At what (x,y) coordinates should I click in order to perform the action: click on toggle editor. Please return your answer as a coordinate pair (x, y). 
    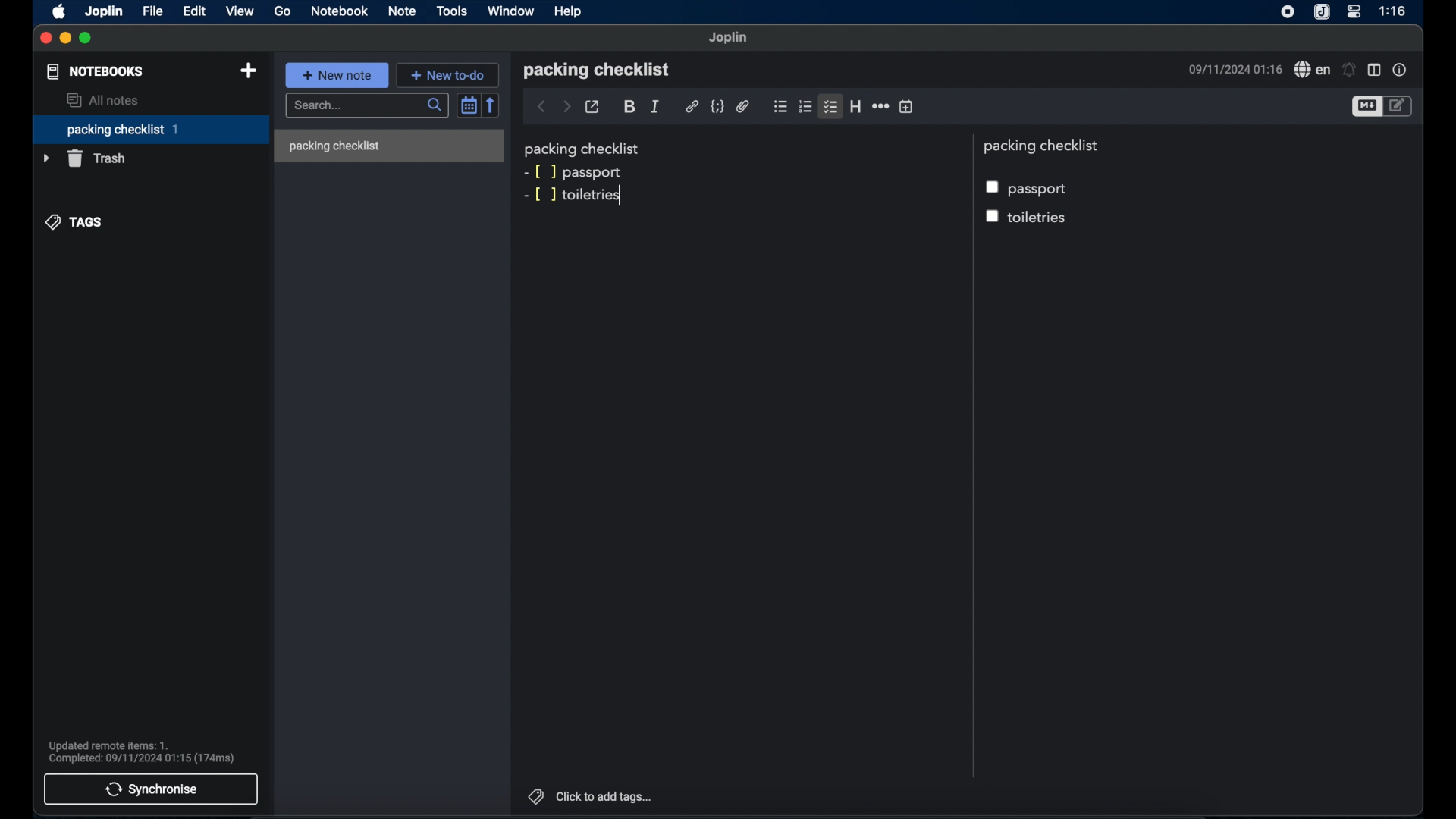
    Looking at the image, I should click on (1366, 107).